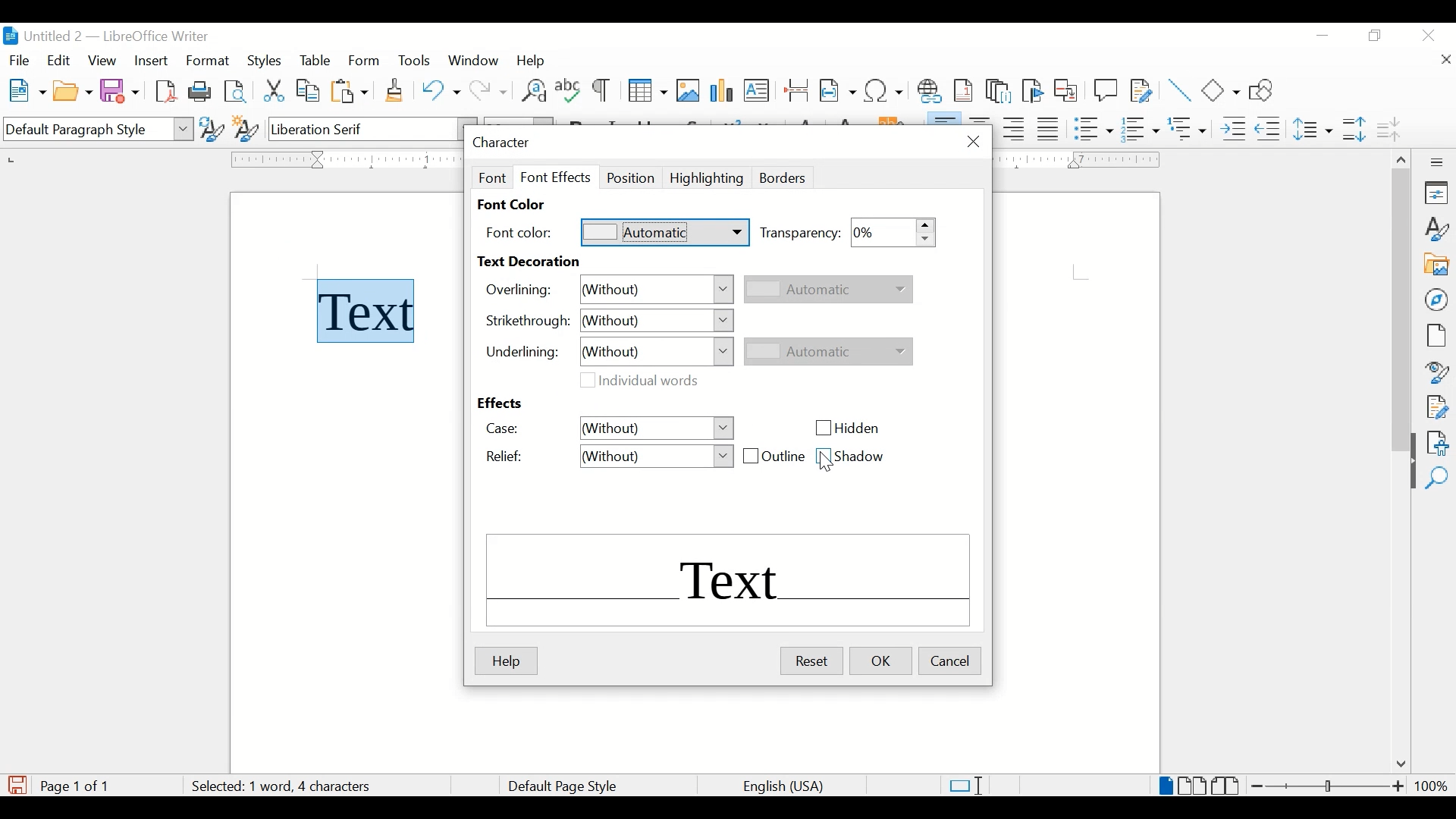 Image resolution: width=1456 pixels, height=819 pixels. What do you see at coordinates (79, 786) in the screenshot?
I see `page count` at bounding box center [79, 786].